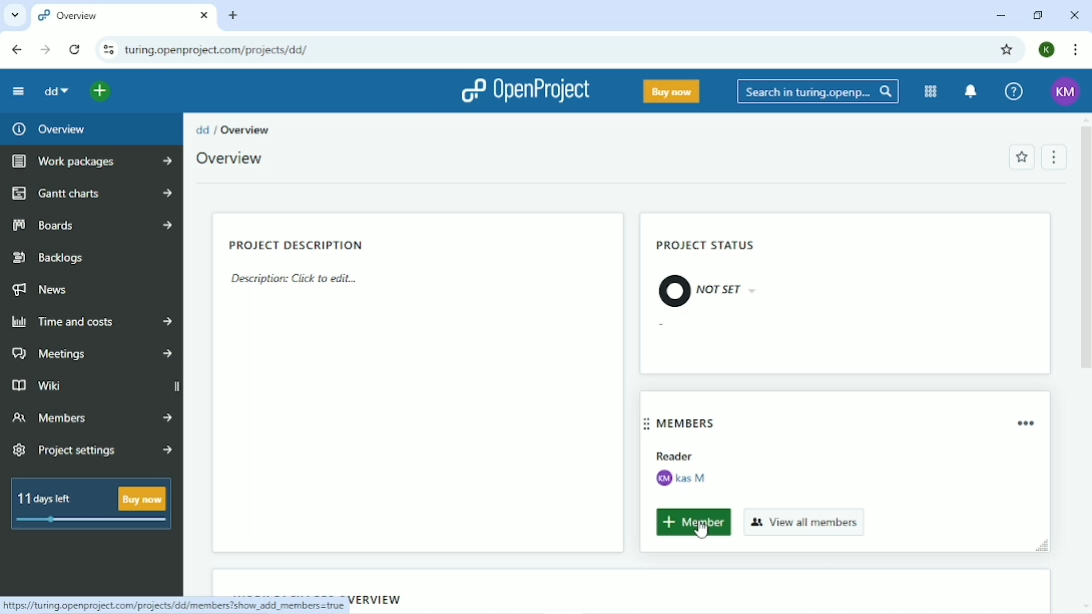 Image resolution: width=1092 pixels, height=614 pixels. I want to click on Boards, so click(92, 227).